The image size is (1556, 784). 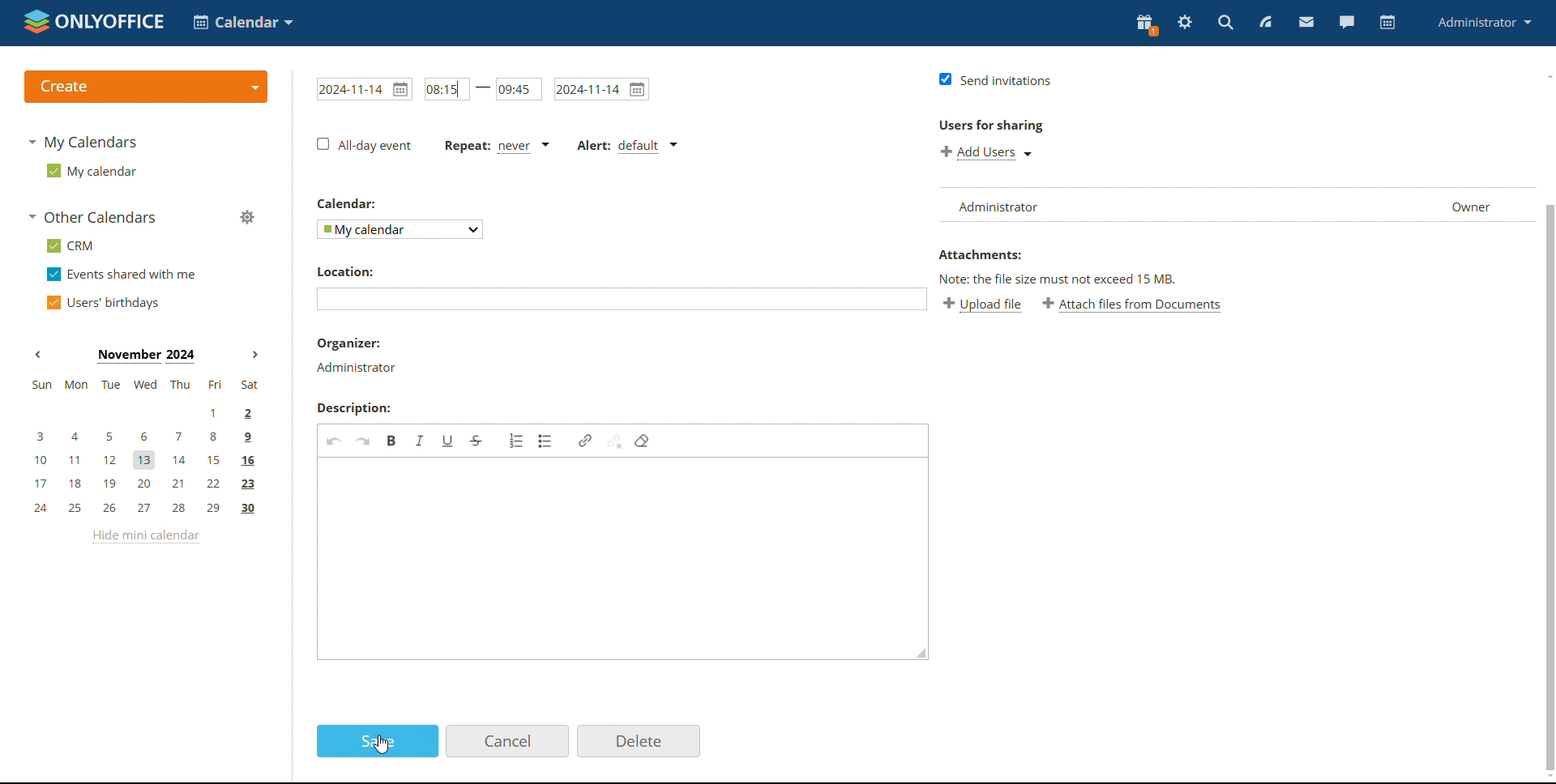 I want to click on Undo, so click(x=334, y=440).